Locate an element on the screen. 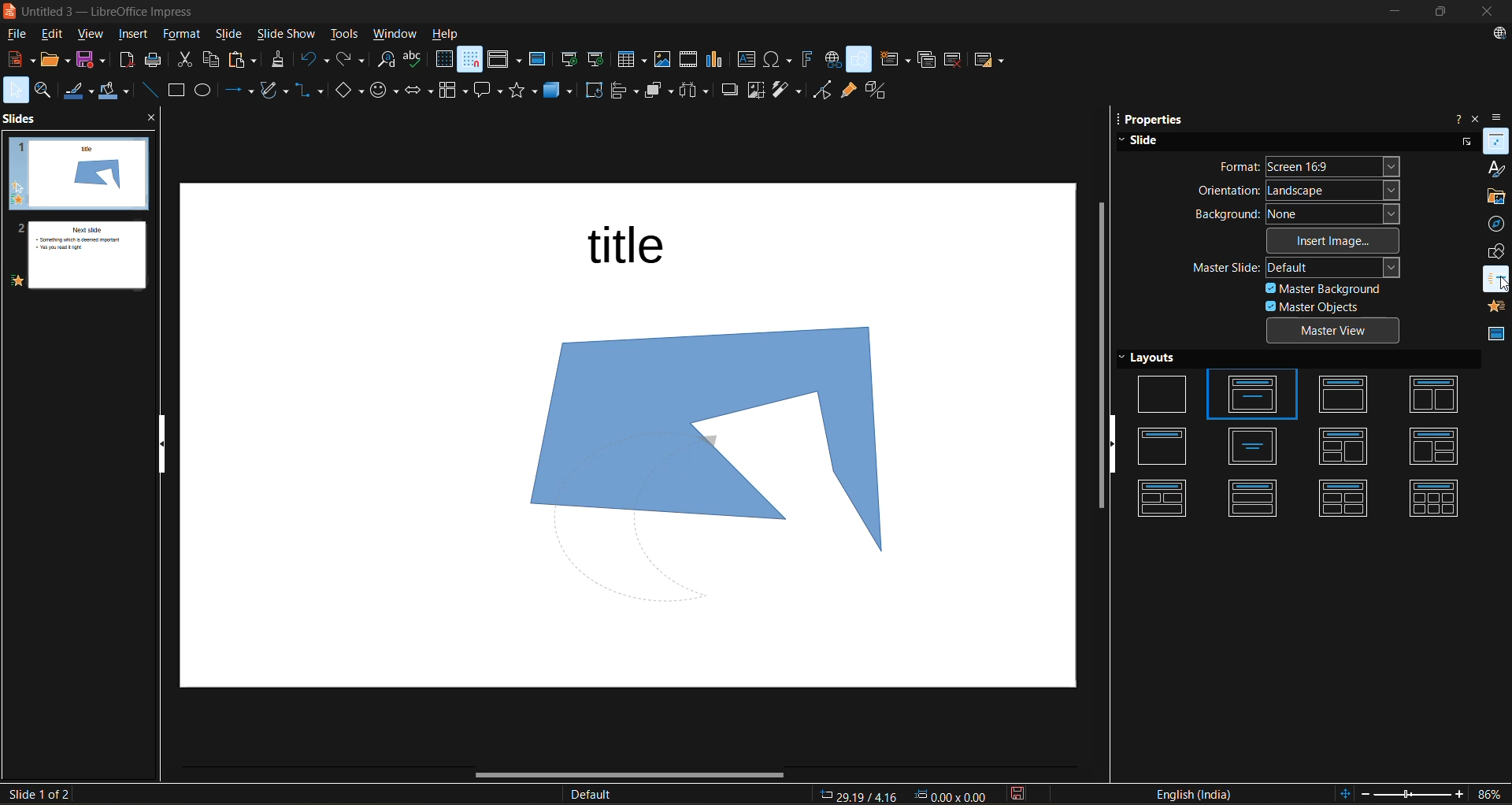  title is located at coordinates (638, 250).